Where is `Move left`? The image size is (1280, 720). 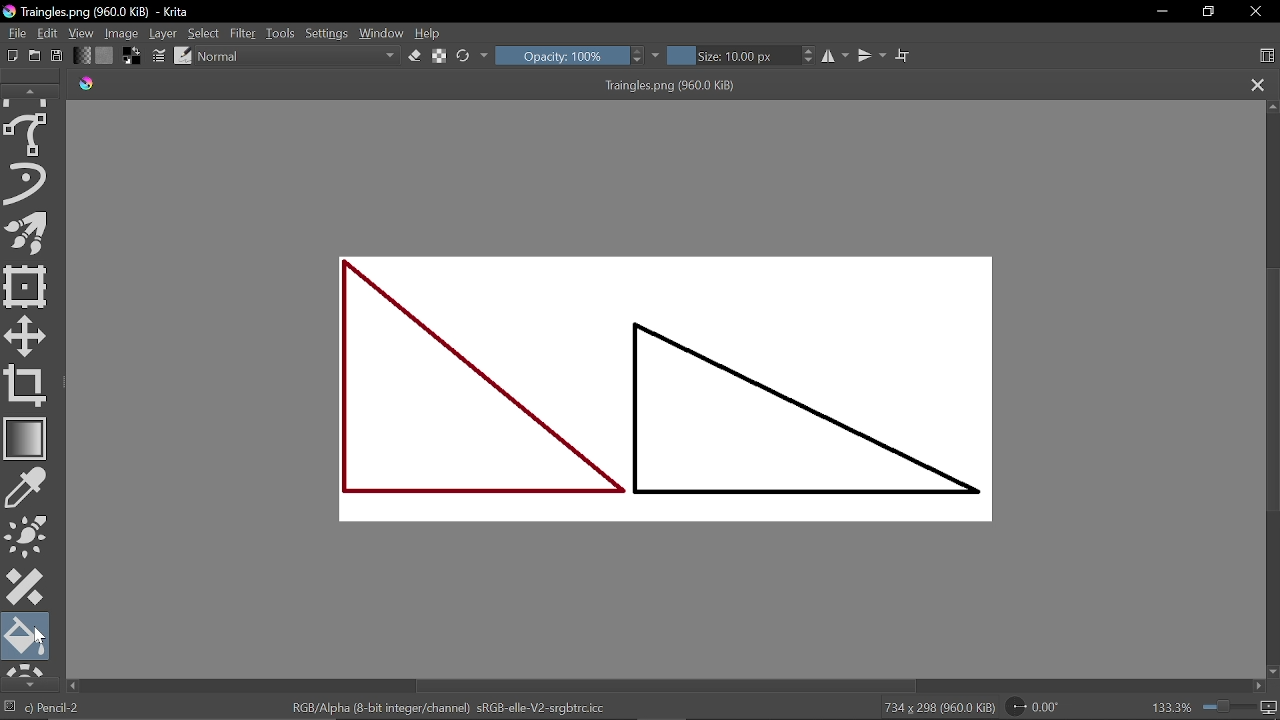
Move left is located at coordinates (74, 686).